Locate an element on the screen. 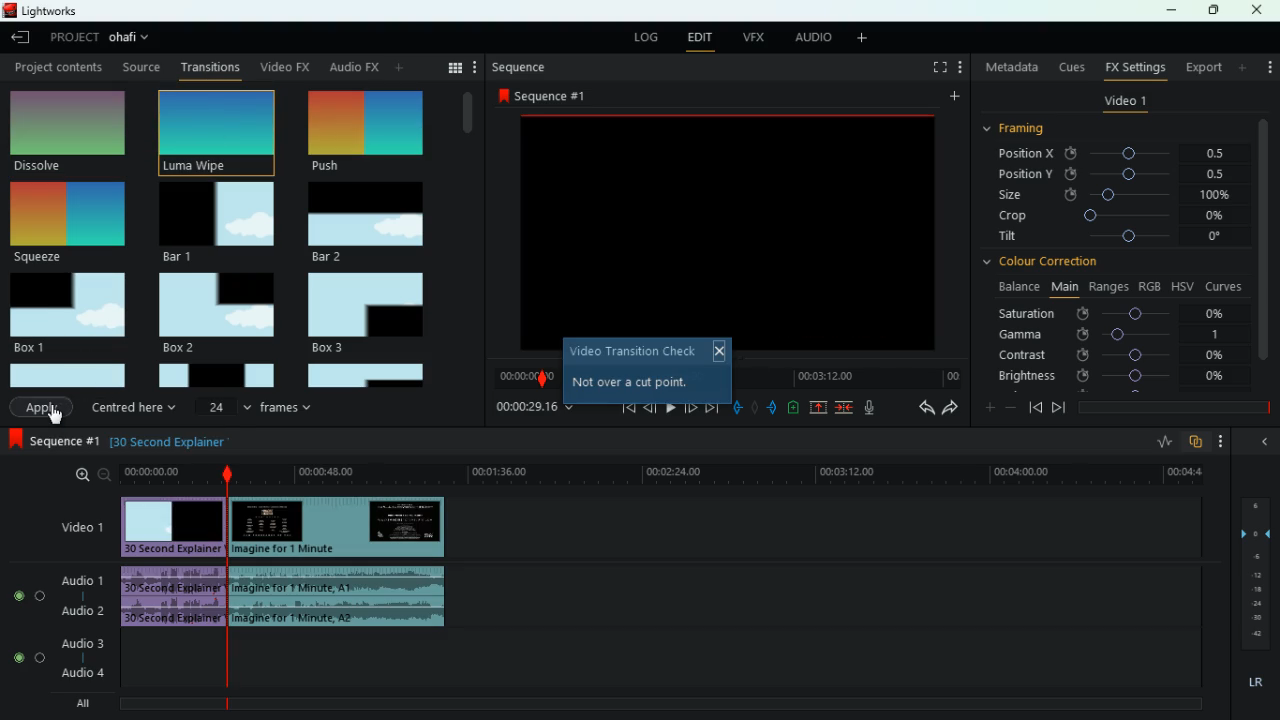  pull is located at coordinates (737, 408).